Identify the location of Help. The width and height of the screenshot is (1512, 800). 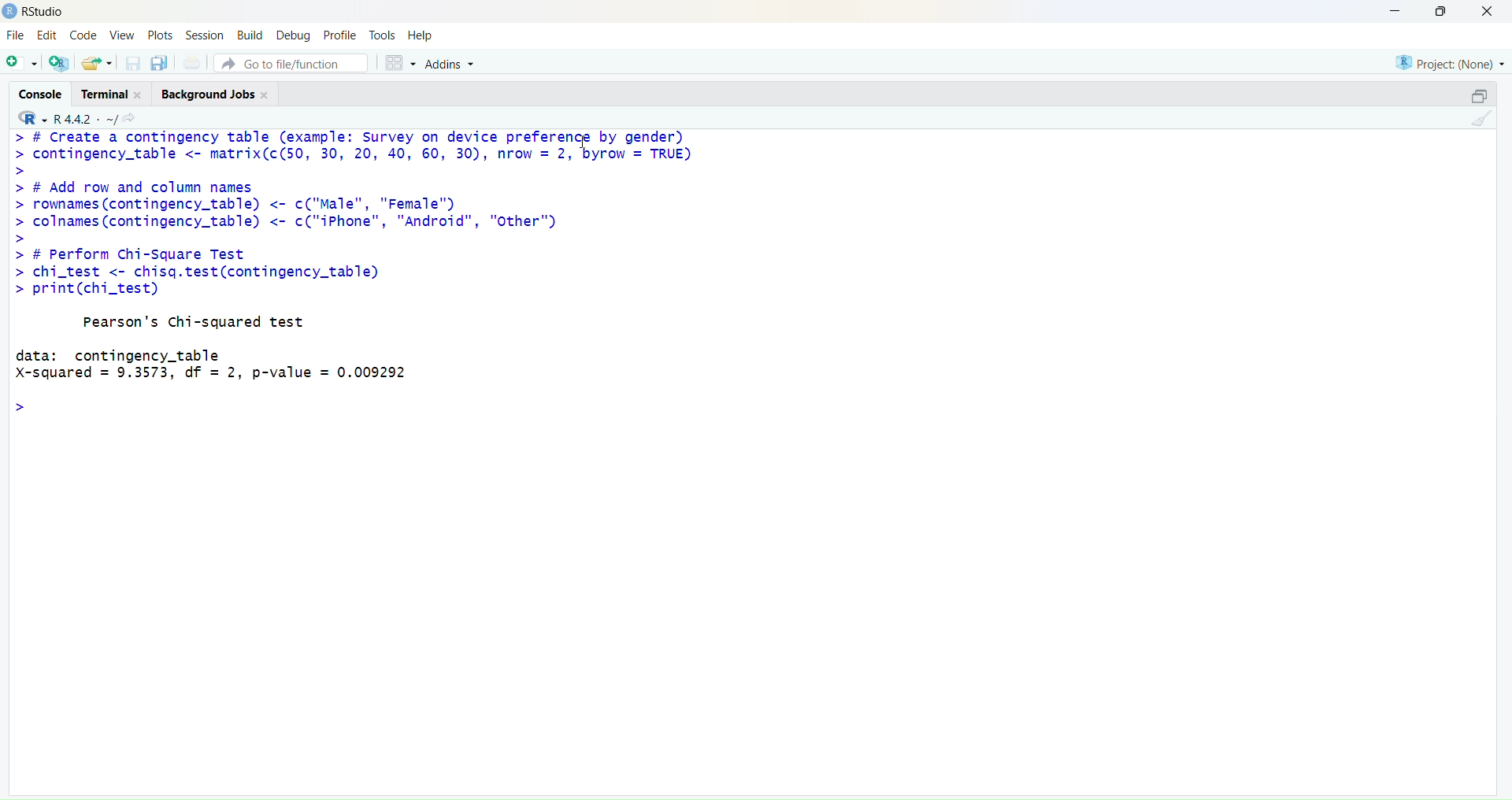
(421, 35).